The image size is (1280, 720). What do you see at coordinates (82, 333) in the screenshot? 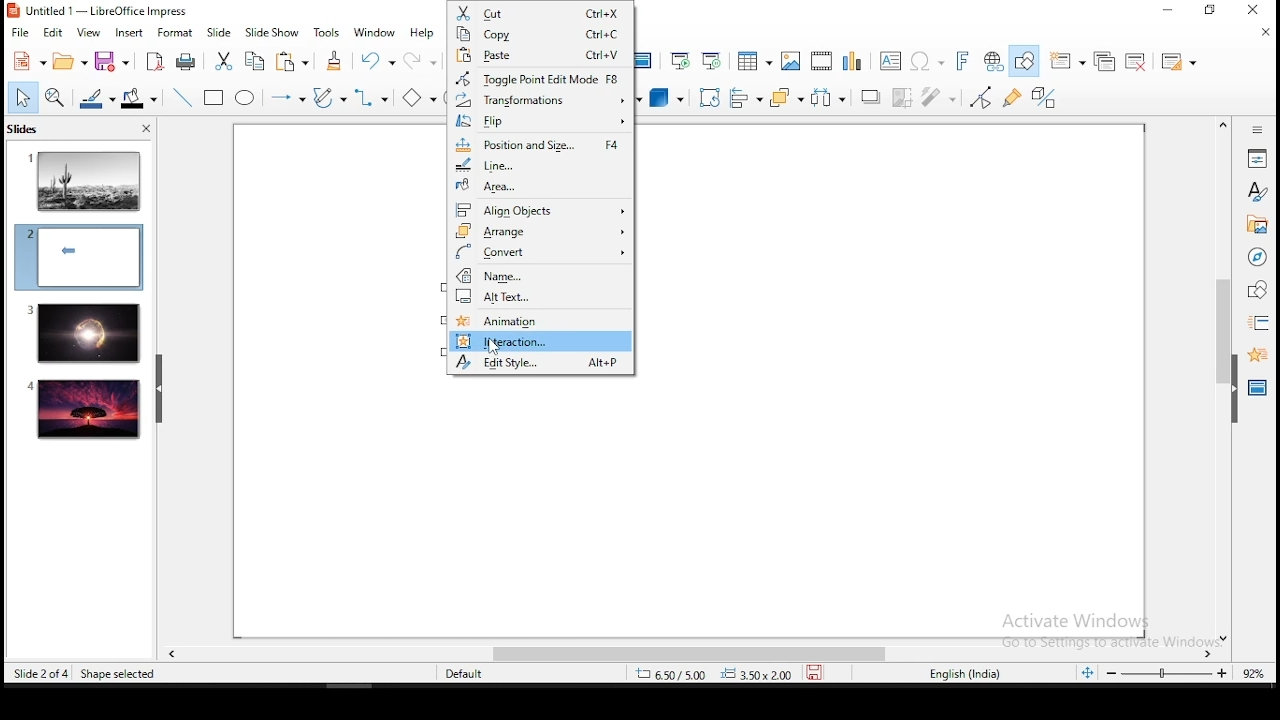
I see `slide` at bounding box center [82, 333].